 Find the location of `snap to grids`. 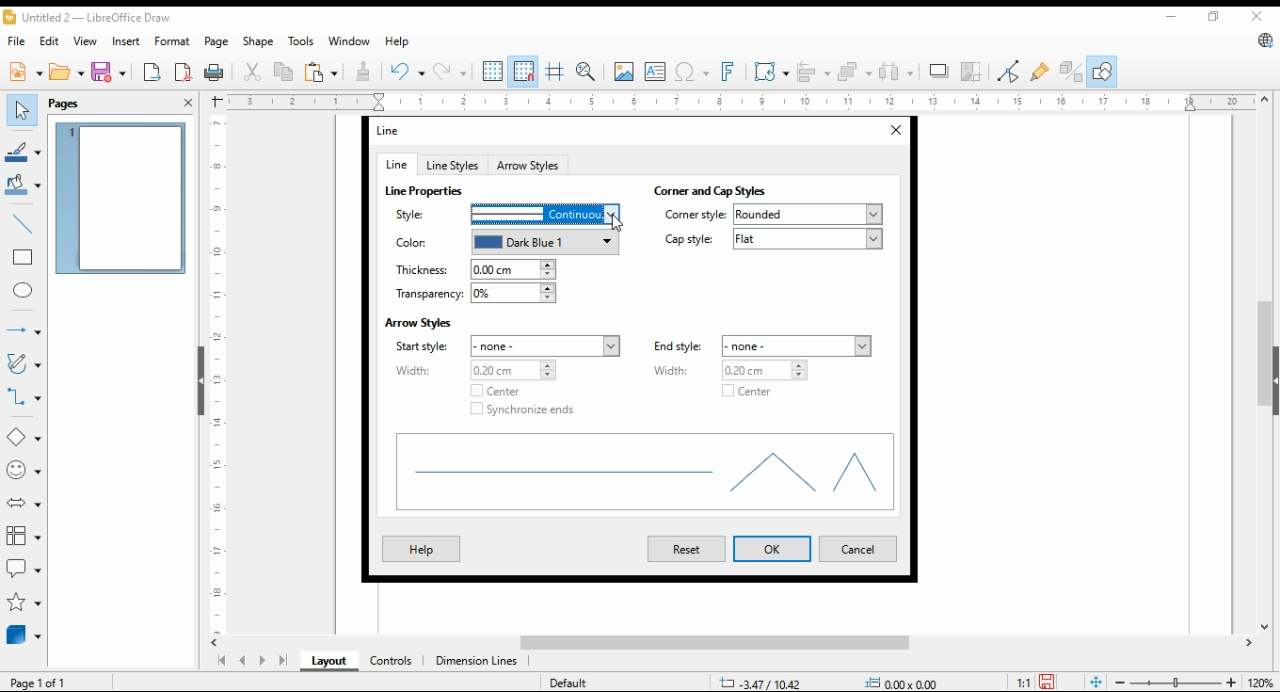

snap to grids is located at coordinates (524, 72).